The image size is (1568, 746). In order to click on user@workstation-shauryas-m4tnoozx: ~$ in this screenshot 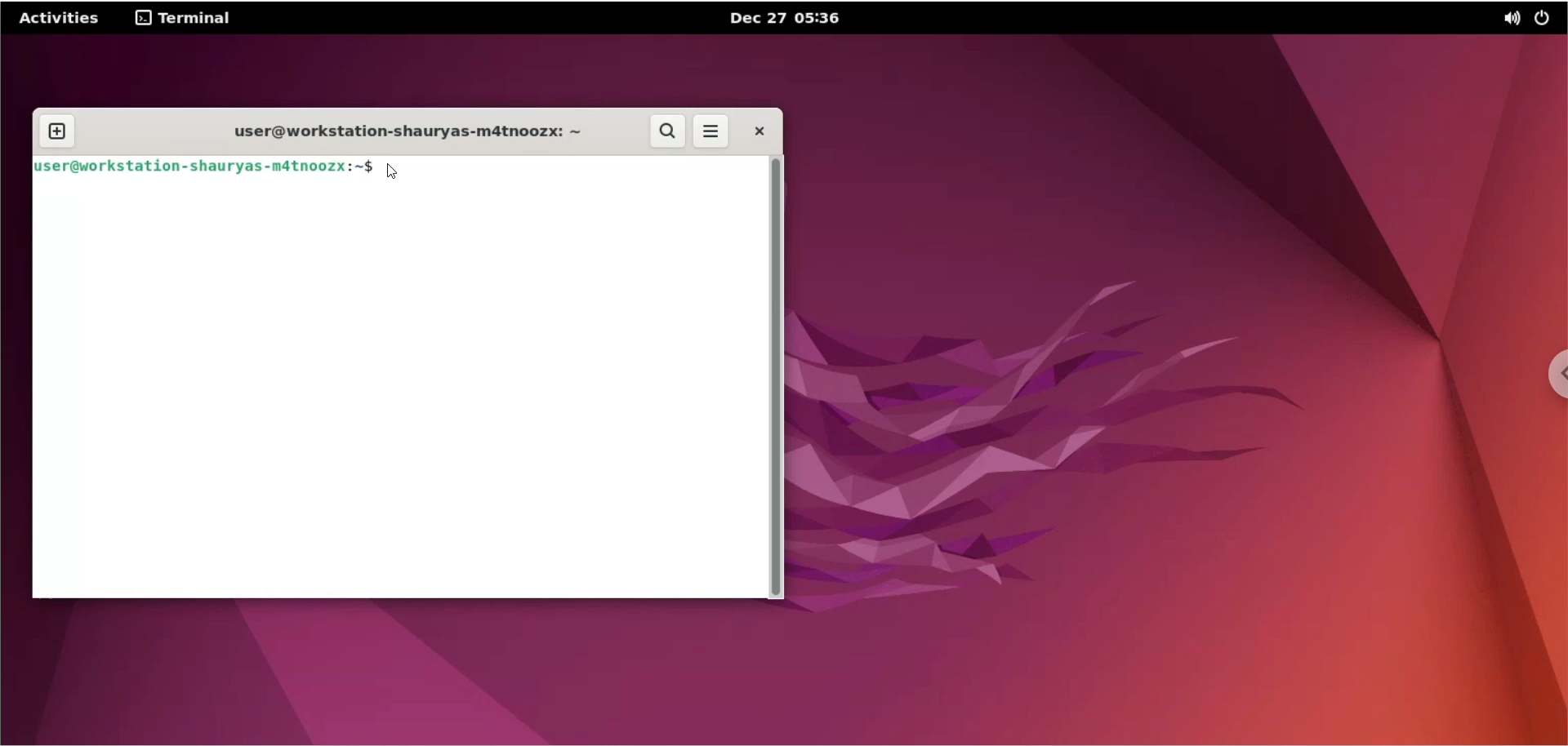, I will do `click(207, 165)`.